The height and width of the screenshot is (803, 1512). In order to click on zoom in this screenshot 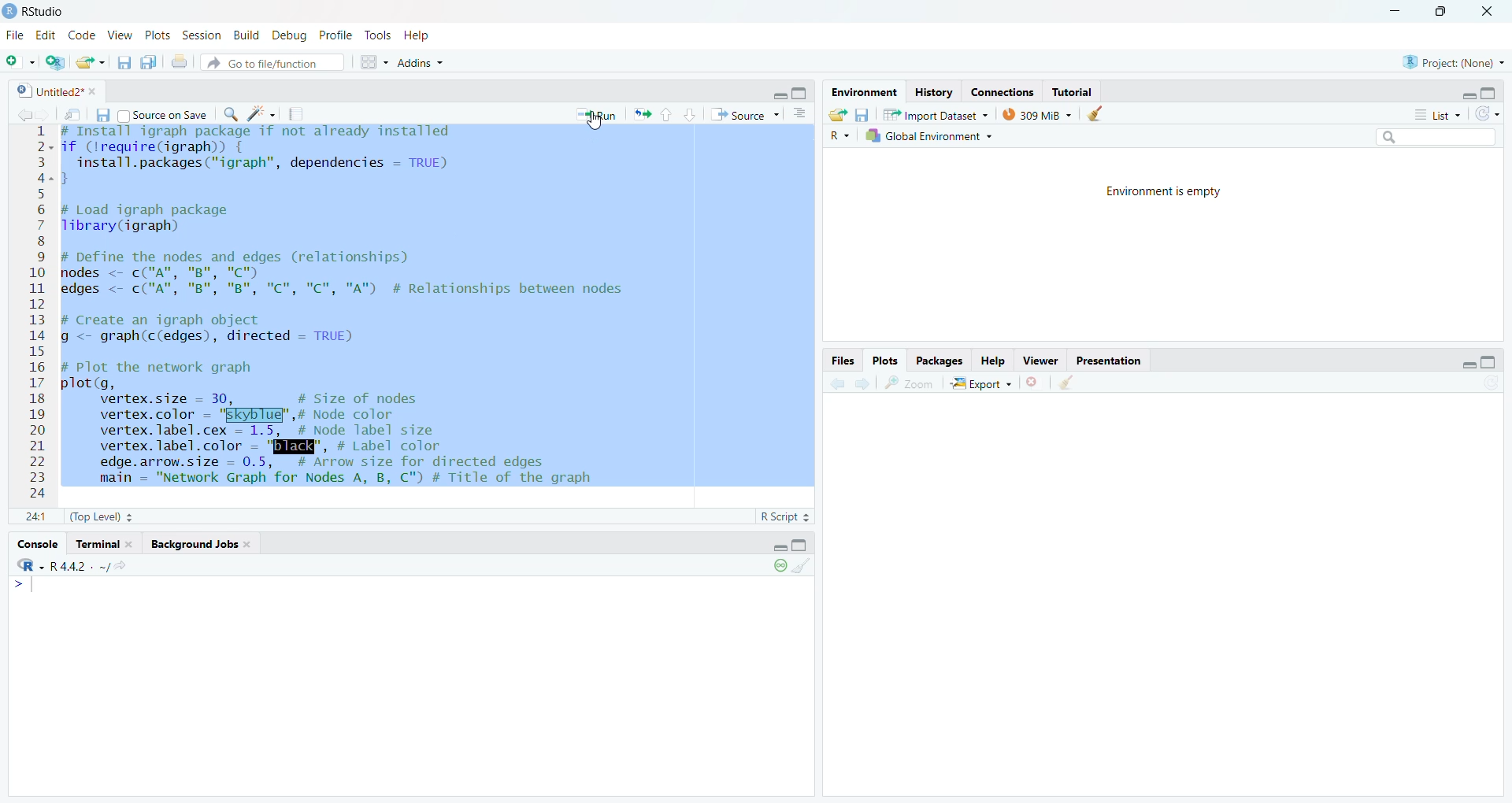, I will do `click(910, 384)`.